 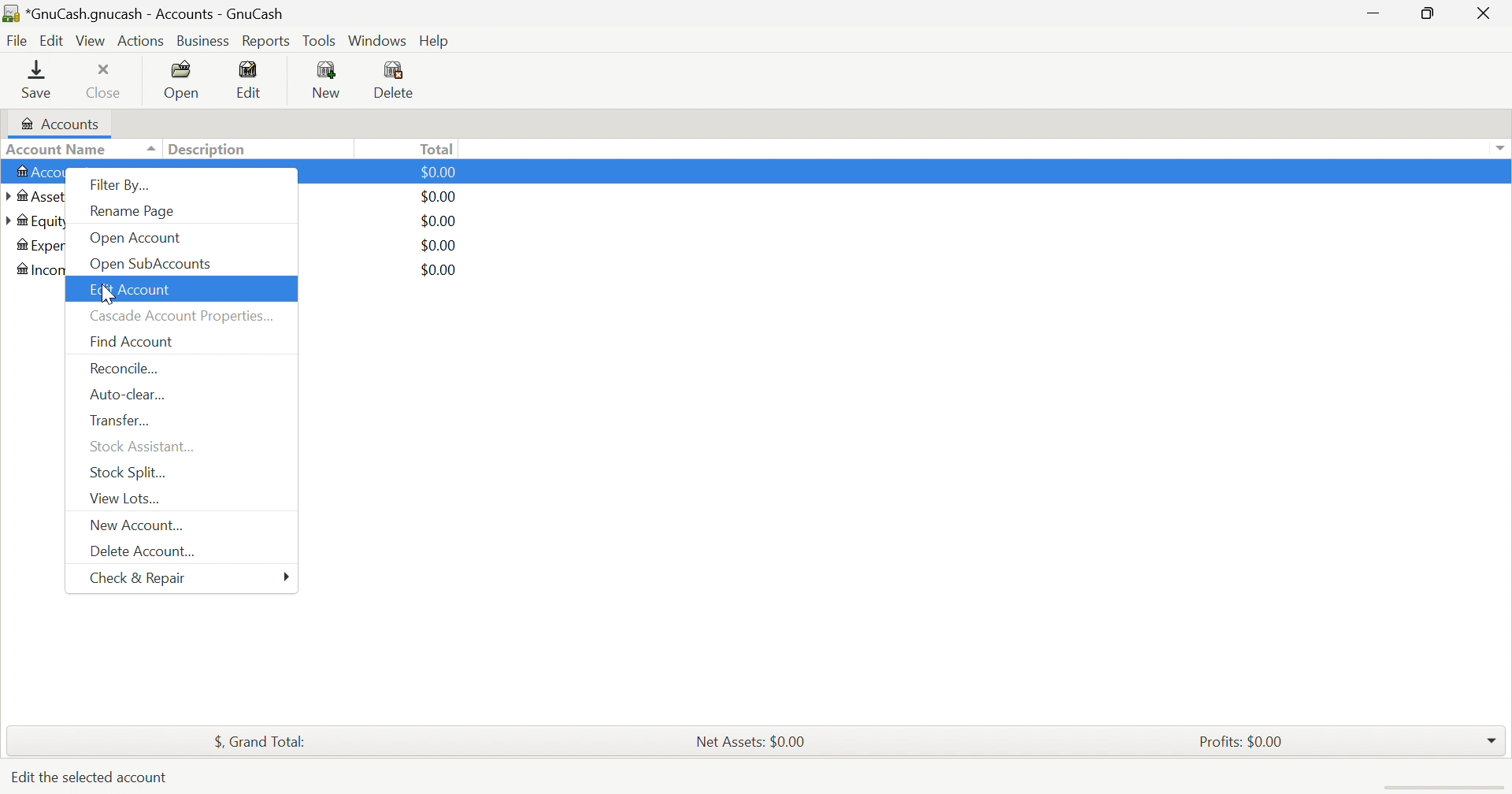 What do you see at coordinates (209, 150) in the screenshot?
I see `Description` at bounding box center [209, 150].